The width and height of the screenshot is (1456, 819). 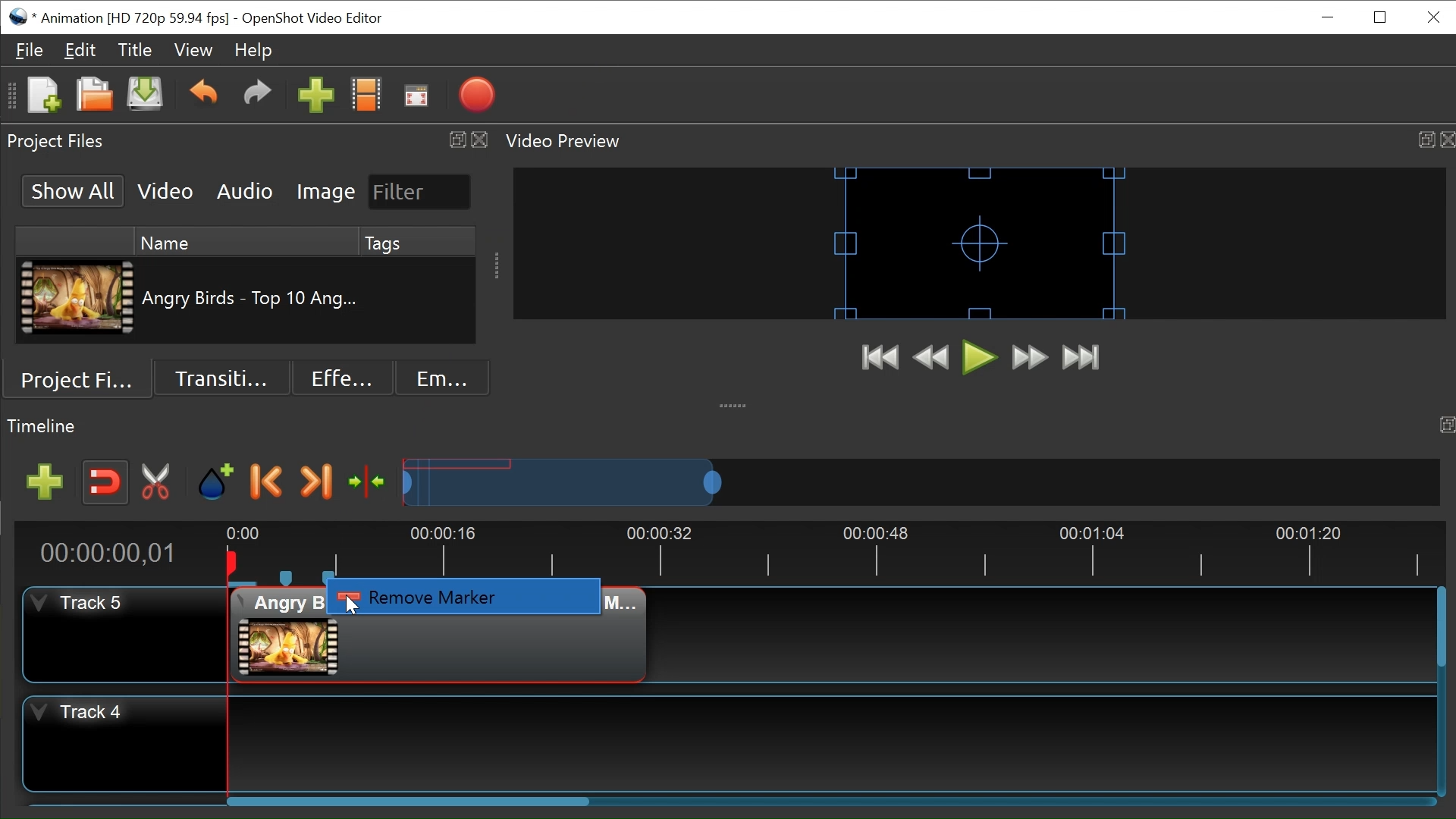 I want to click on New Project, so click(x=43, y=96).